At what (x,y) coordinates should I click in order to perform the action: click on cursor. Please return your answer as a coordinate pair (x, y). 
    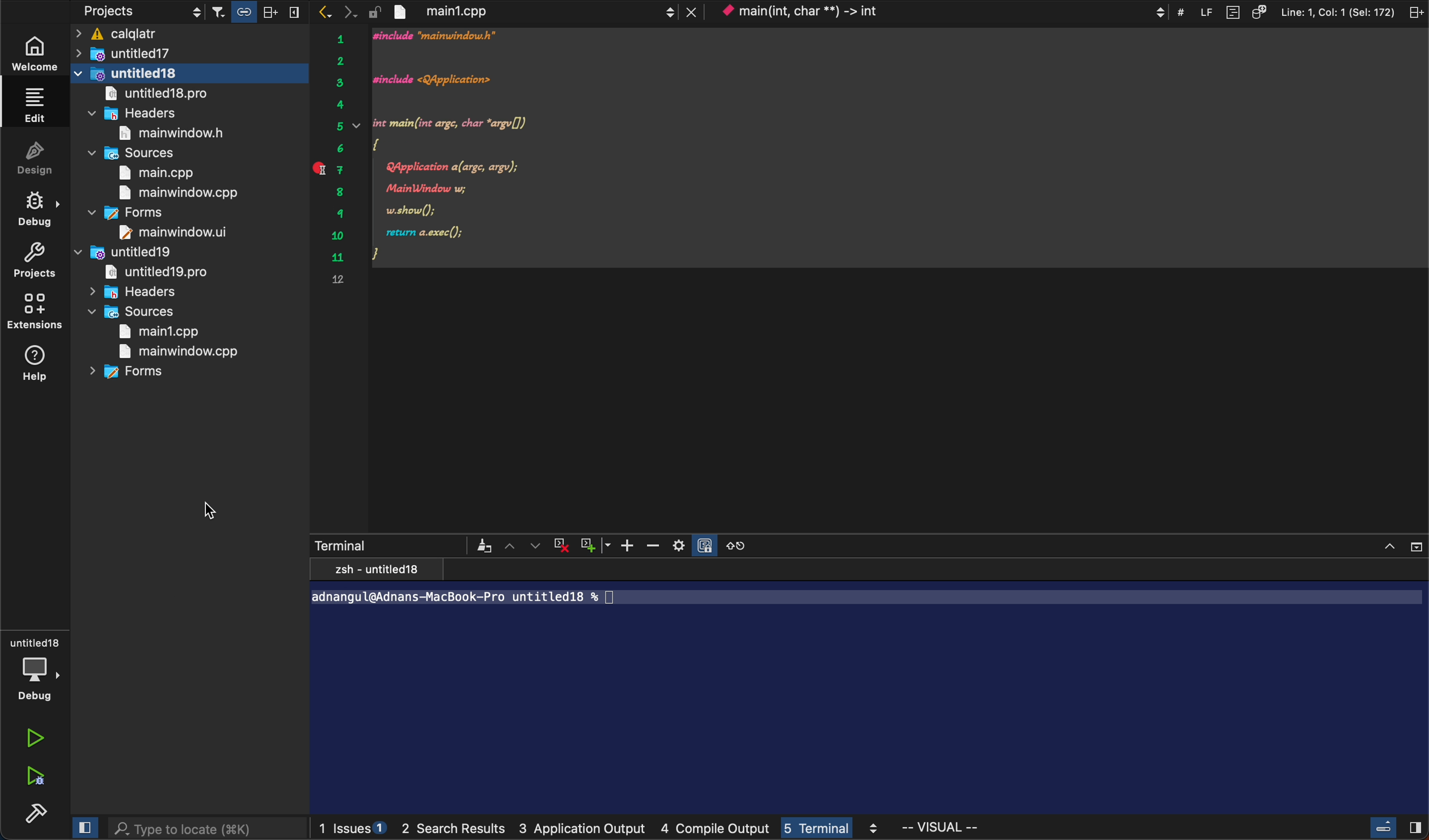
    Looking at the image, I should click on (211, 510).